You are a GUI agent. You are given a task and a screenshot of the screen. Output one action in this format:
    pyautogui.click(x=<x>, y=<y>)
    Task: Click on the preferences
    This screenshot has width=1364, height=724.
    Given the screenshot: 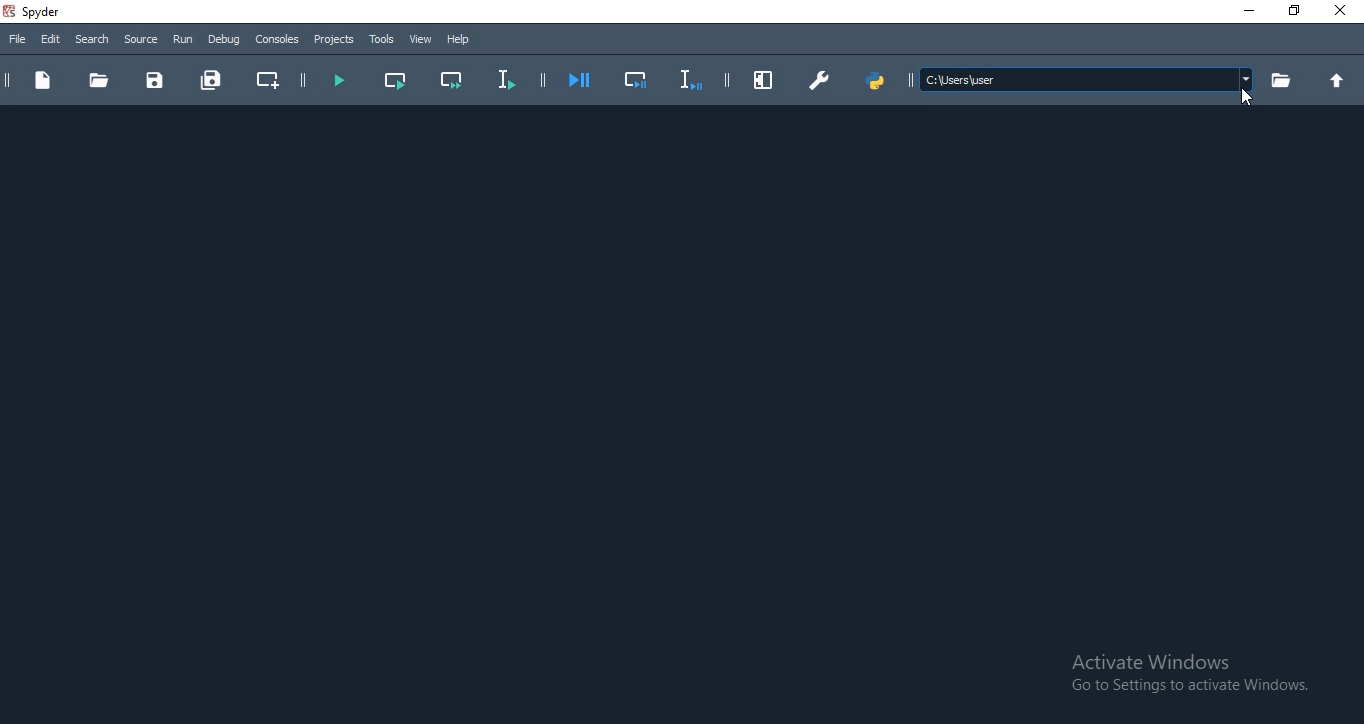 What is the action you would take?
    pyautogui.click(x=819, y=82)
    